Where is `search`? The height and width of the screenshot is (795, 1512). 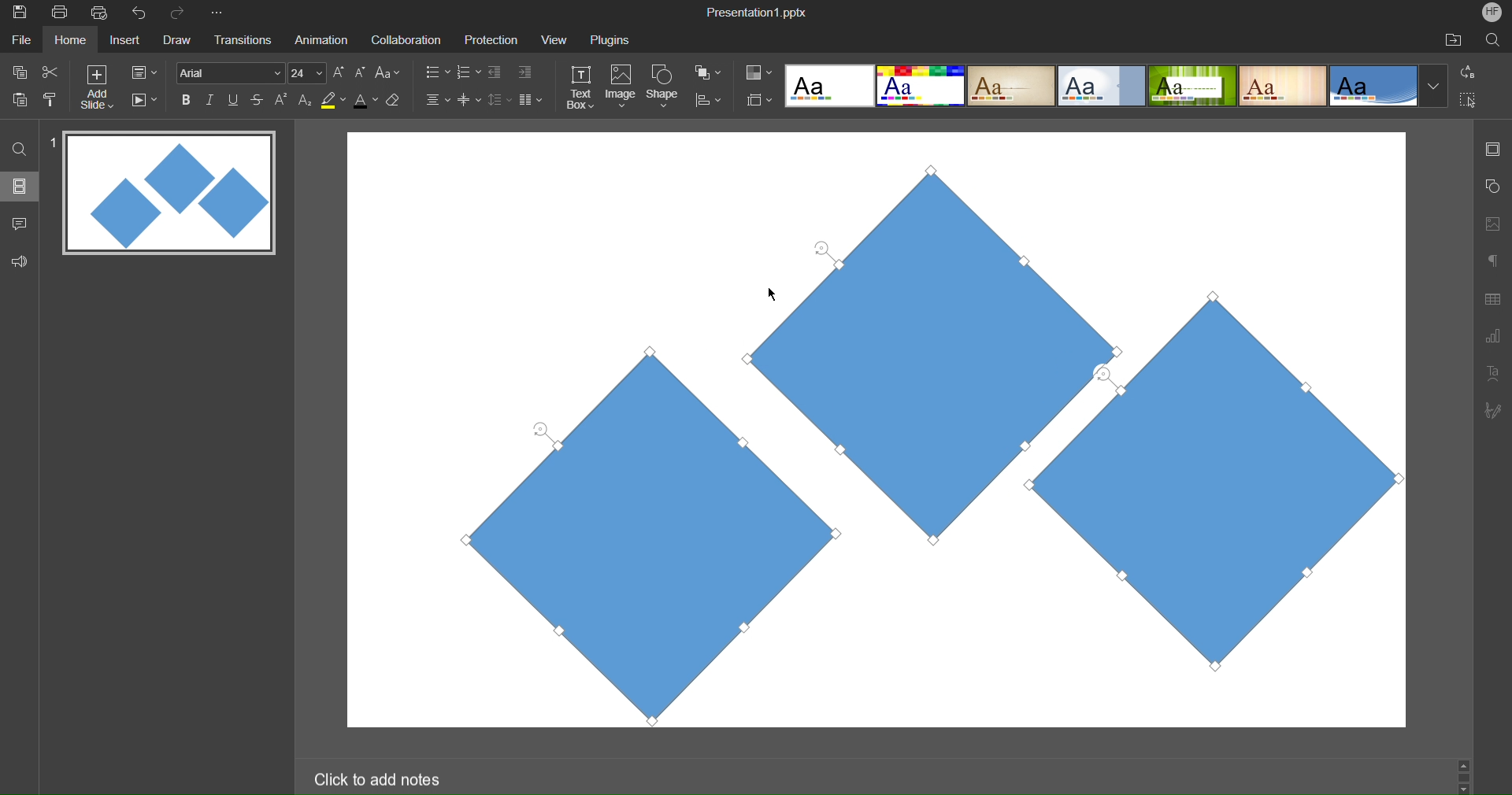
search is located at coordinates (20, 148).